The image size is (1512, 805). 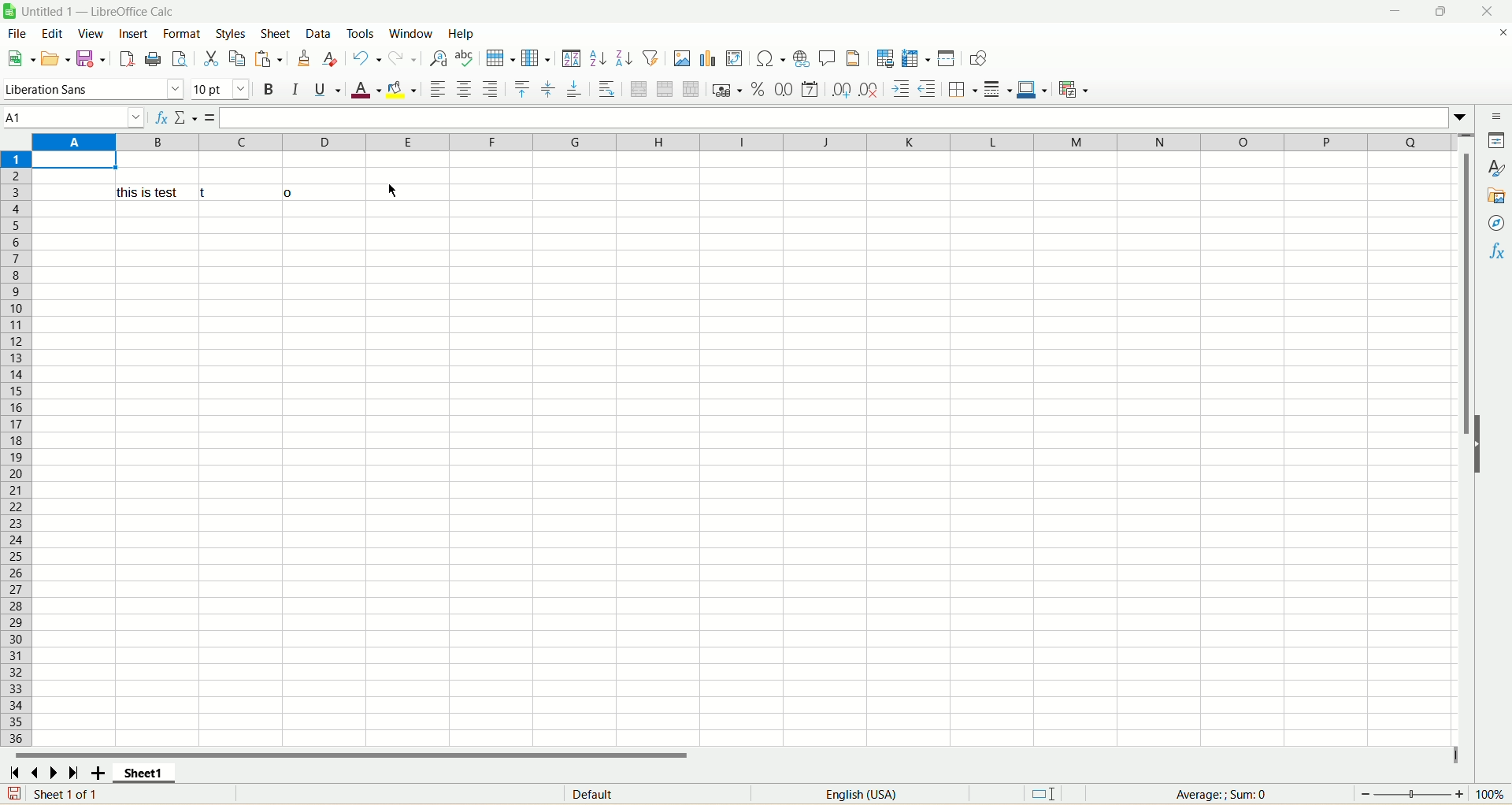 What do you see at coordinates (1499, 143) in the screenshot?
I see `properties` at bounding box center [1499, 143].